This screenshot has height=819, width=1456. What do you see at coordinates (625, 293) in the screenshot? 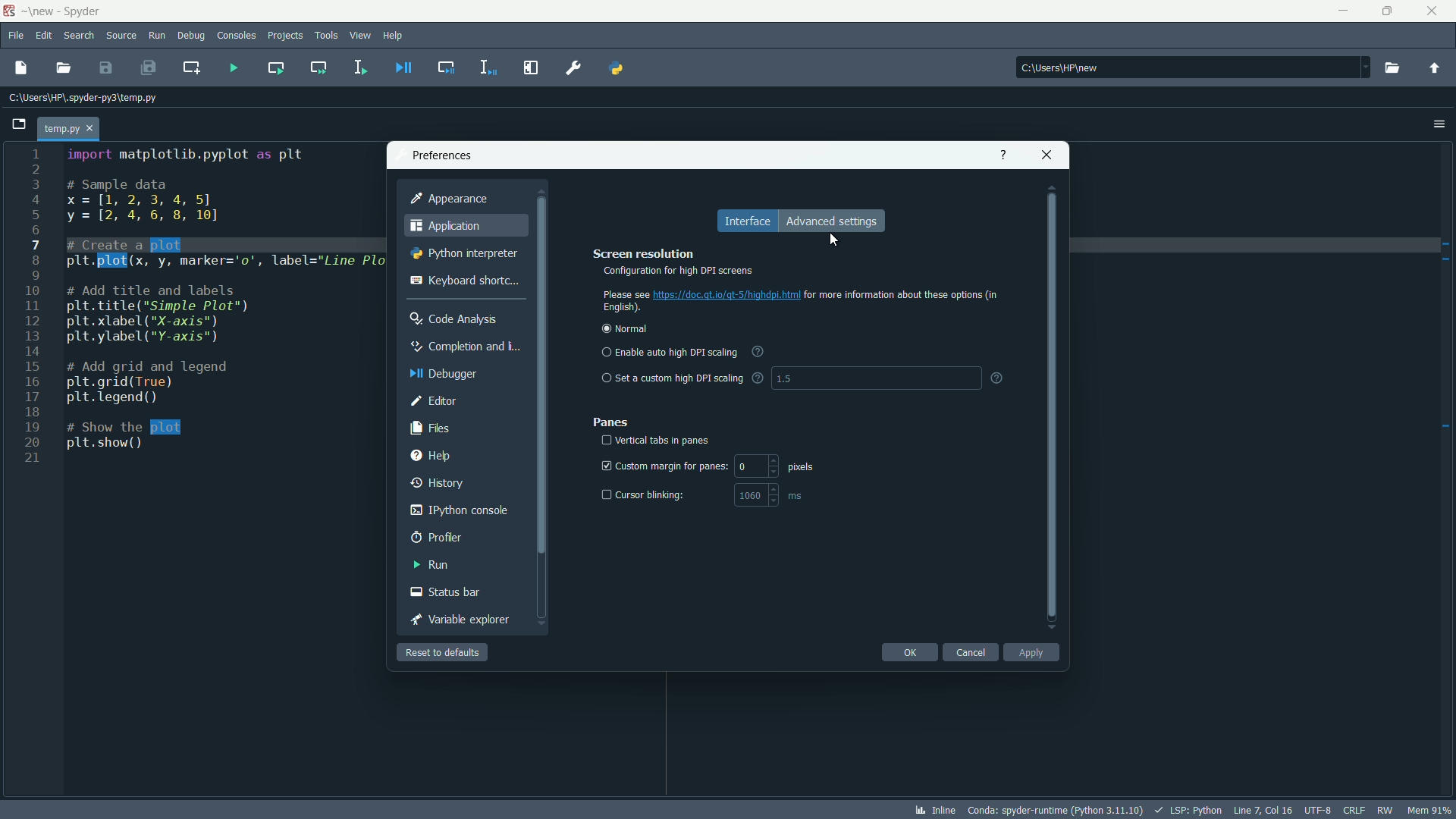
I see `please see` at bounding box center [625, 293].